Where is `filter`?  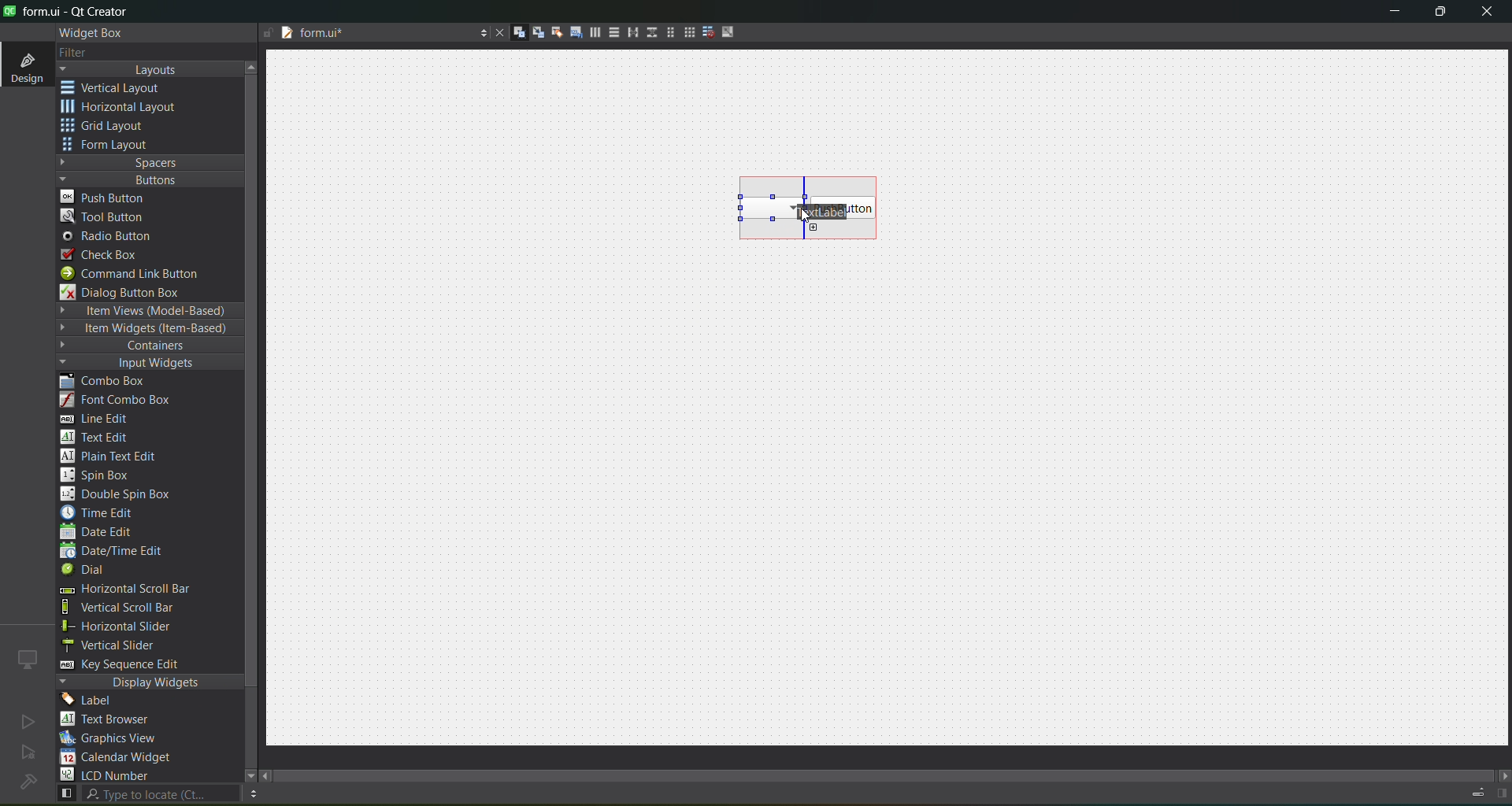
filter is located at coordinates (85, 54).